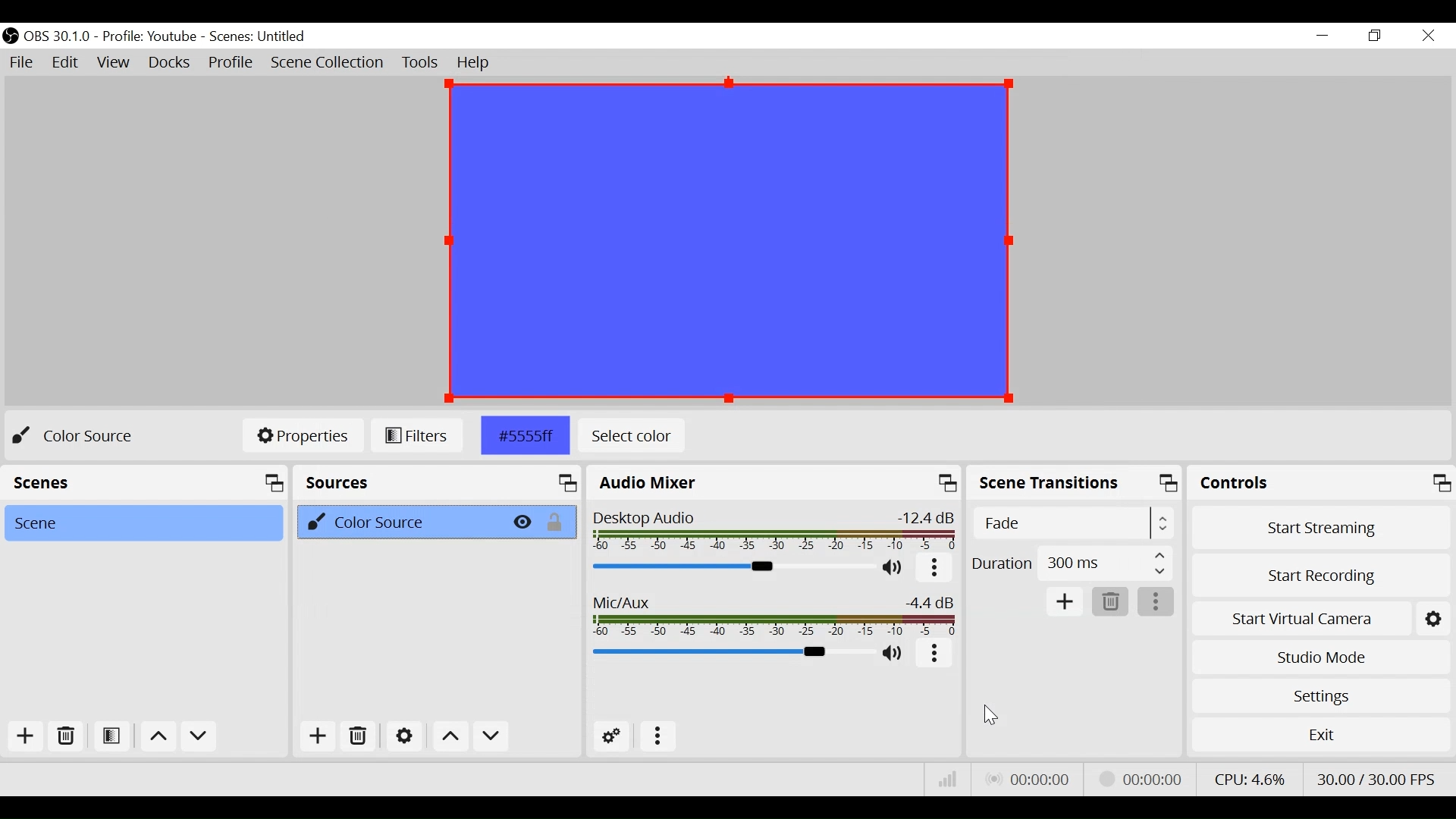 This screenshot has height=819, width=1456. What do you see at coordinates (1323, 35) in the screenshot?
I see `minimize` at bounding box center [1323, 35].